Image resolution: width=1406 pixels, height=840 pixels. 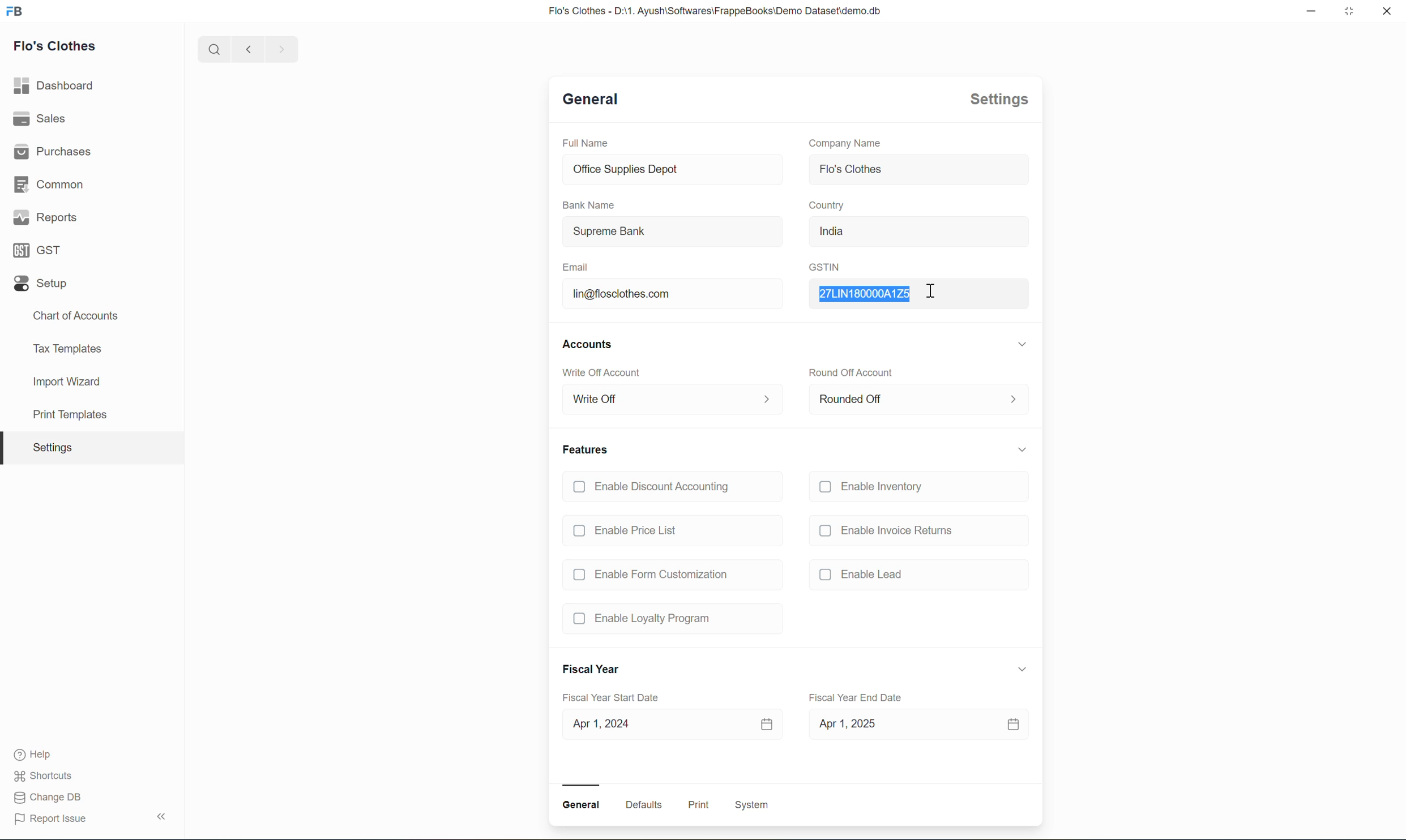 What do you see at coordinates (45, 775) in the screenshot?
I see `Shortcuts` at bounding box center [45, 775].